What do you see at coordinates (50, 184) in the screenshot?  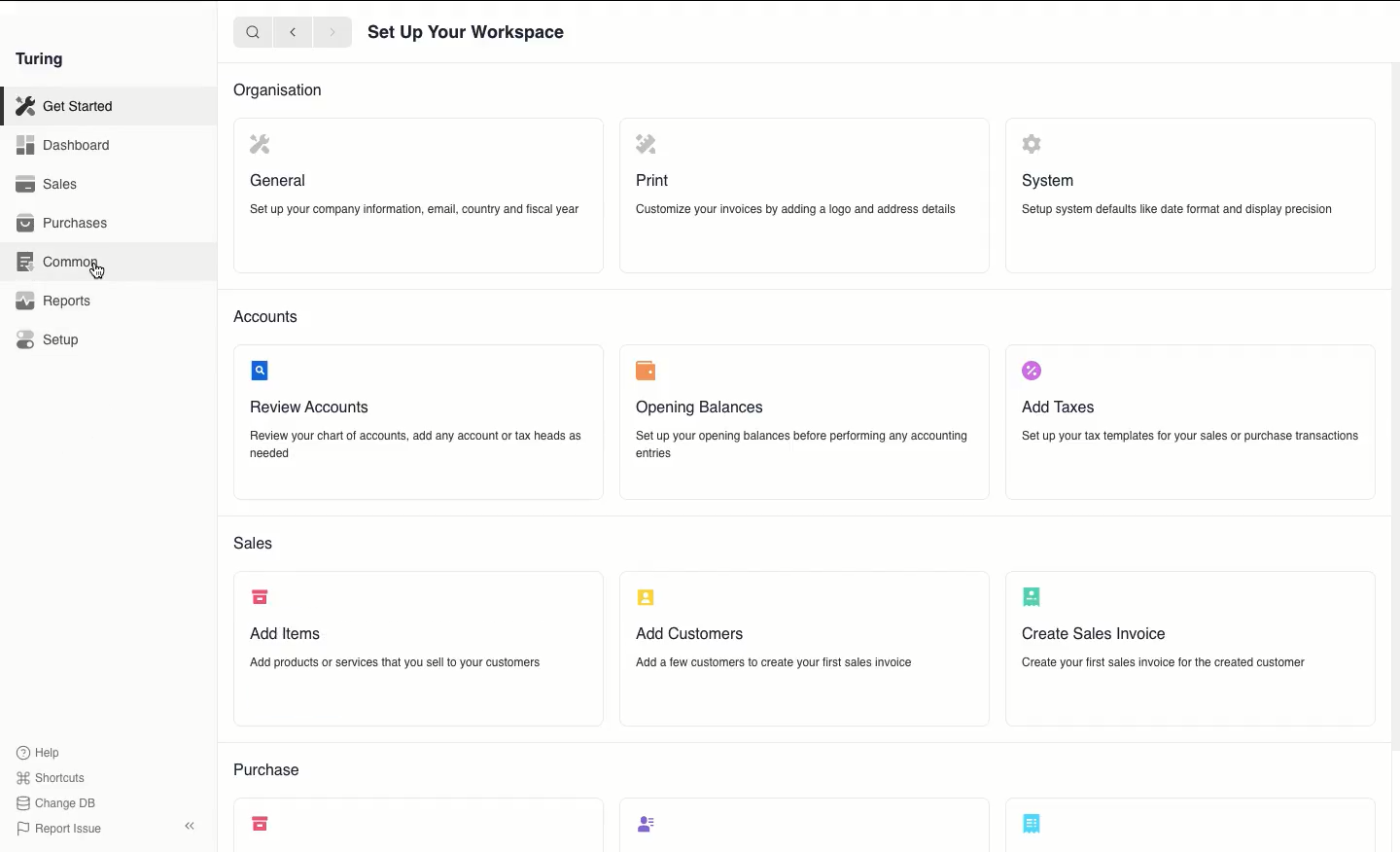 I see `Sales` at bounding box center [50, 184].